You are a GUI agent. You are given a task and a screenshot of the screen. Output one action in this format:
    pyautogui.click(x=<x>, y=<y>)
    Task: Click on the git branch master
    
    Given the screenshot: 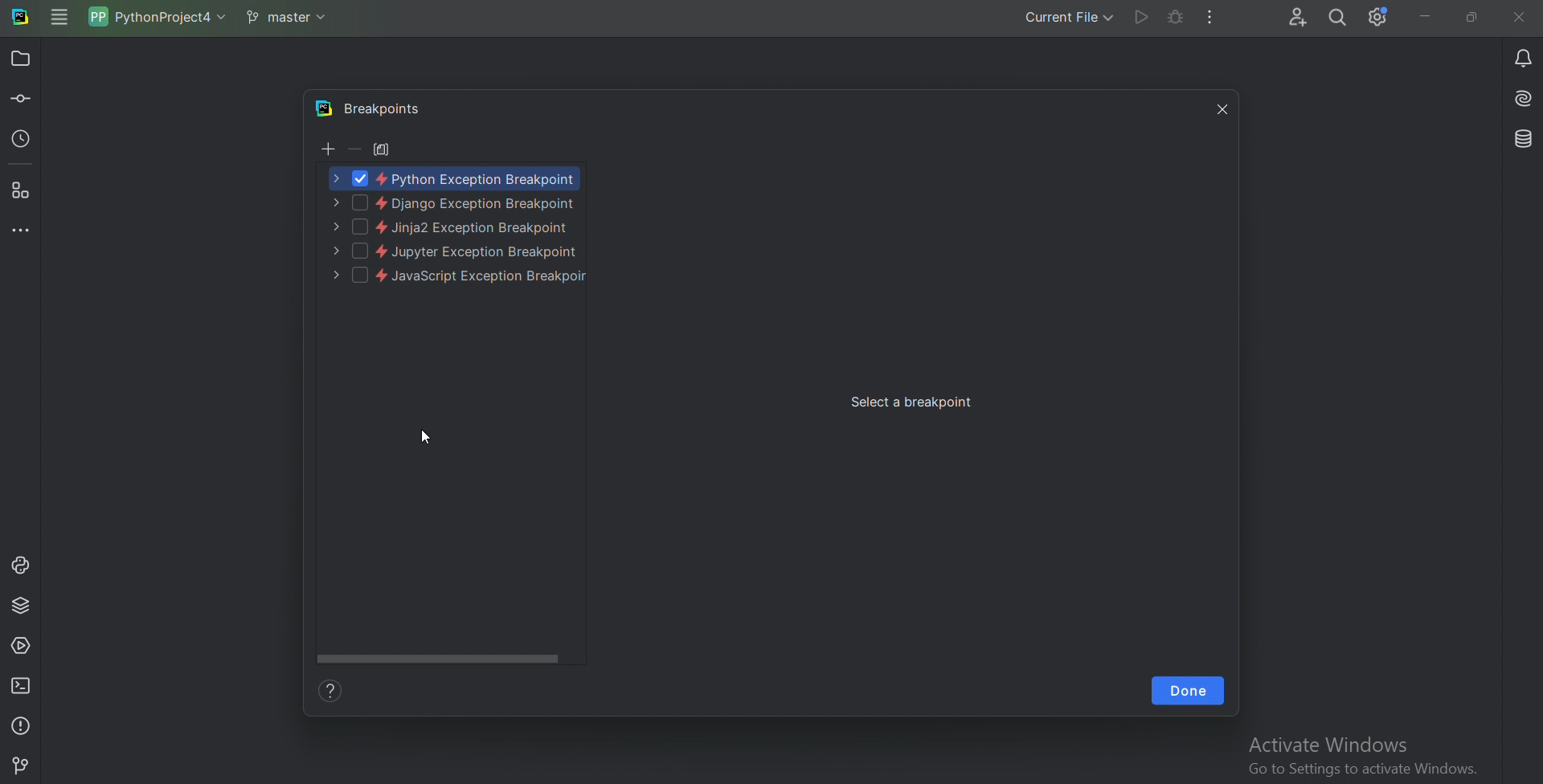 What is the action you would take?
    pyautogui.click(x=291, y=18)
    